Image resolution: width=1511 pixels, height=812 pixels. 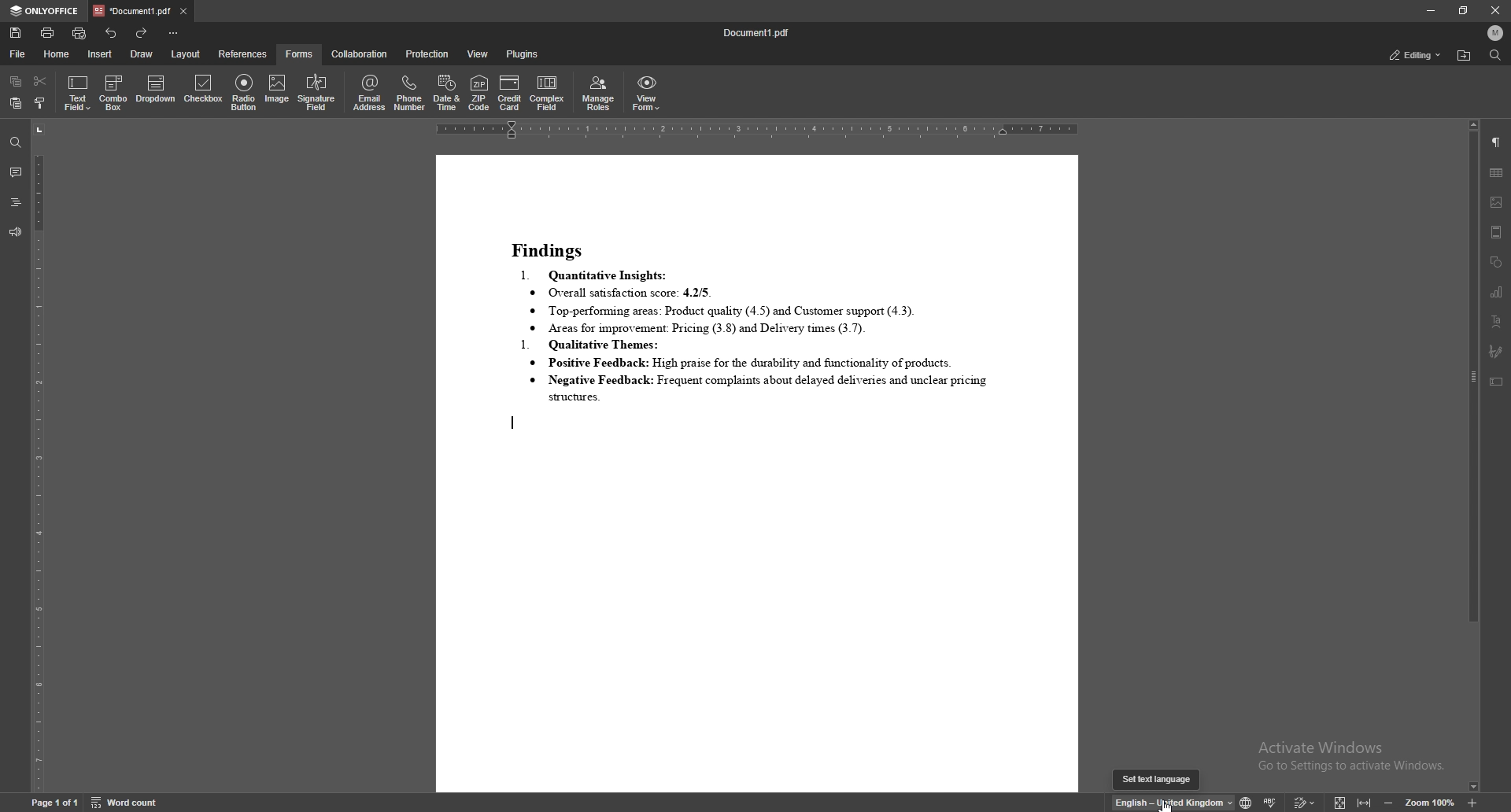 What do you see at coordinates (57, 55) in the screenshot?
I see `home` at bounding box center [57, 55].